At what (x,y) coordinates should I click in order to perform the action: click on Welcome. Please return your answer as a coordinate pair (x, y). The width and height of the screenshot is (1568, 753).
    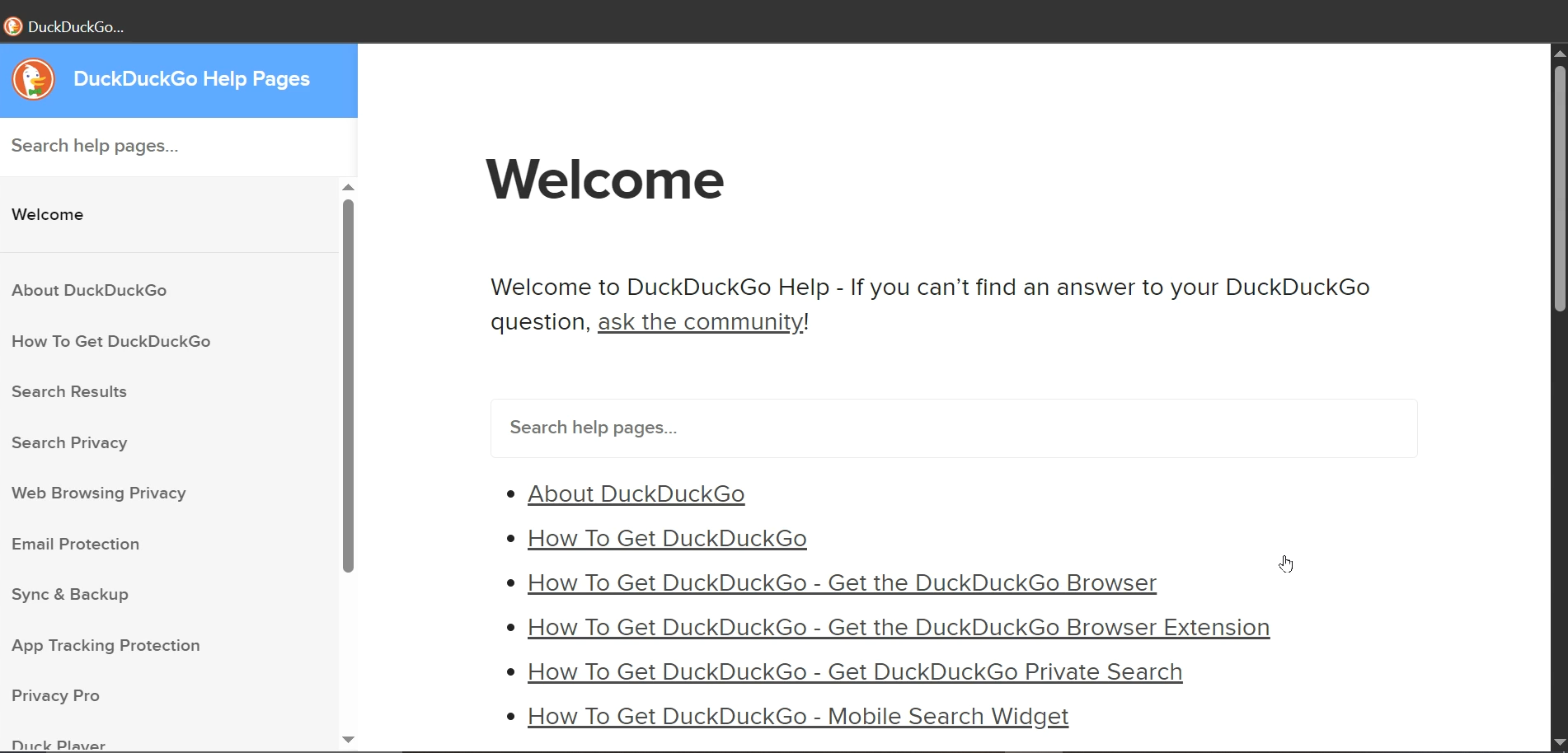
    Looking at the image, I should click on (602, 179).